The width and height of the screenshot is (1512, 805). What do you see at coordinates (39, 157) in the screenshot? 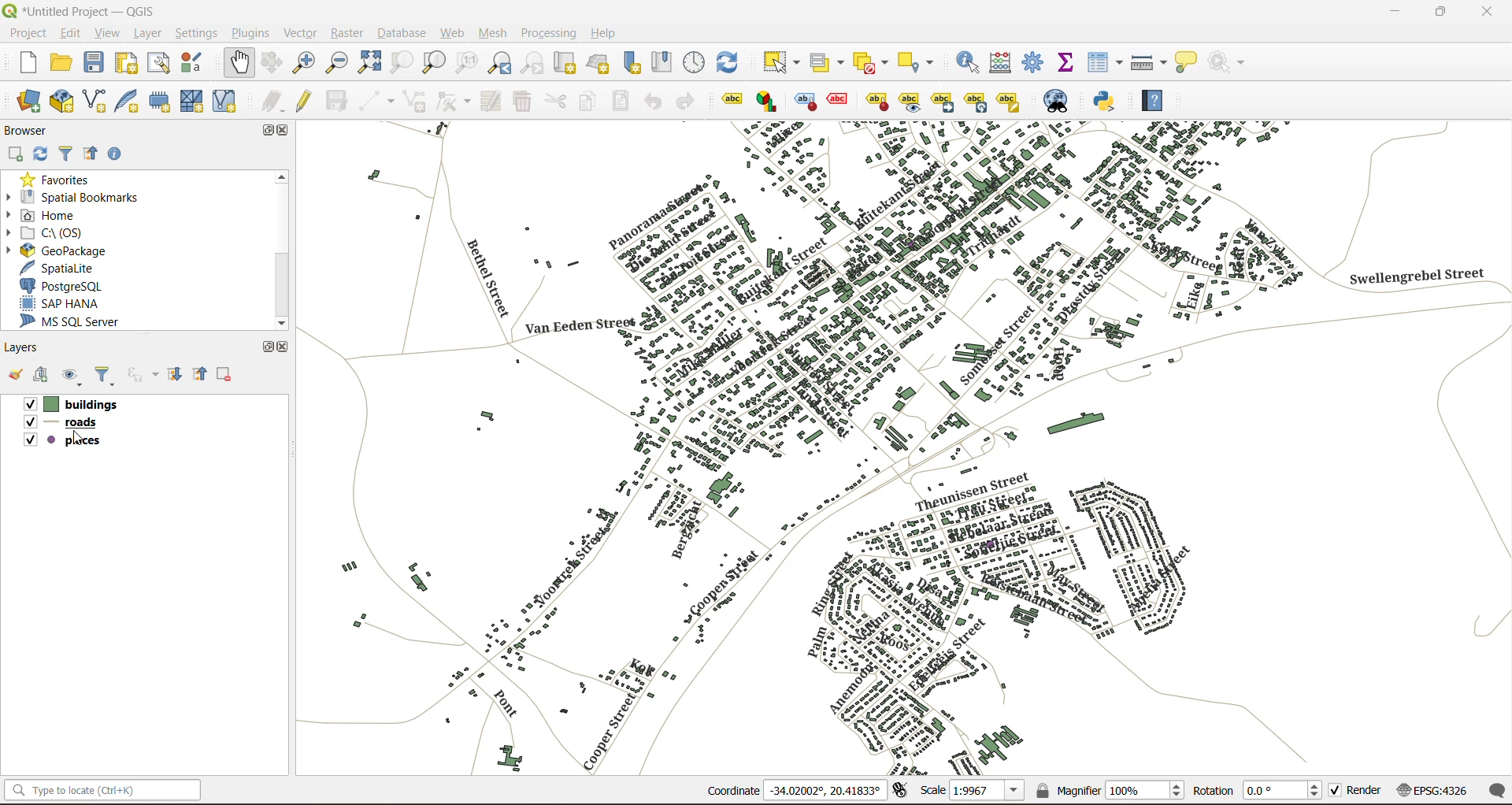
I see `refresh` at bounding box center [39, 157].